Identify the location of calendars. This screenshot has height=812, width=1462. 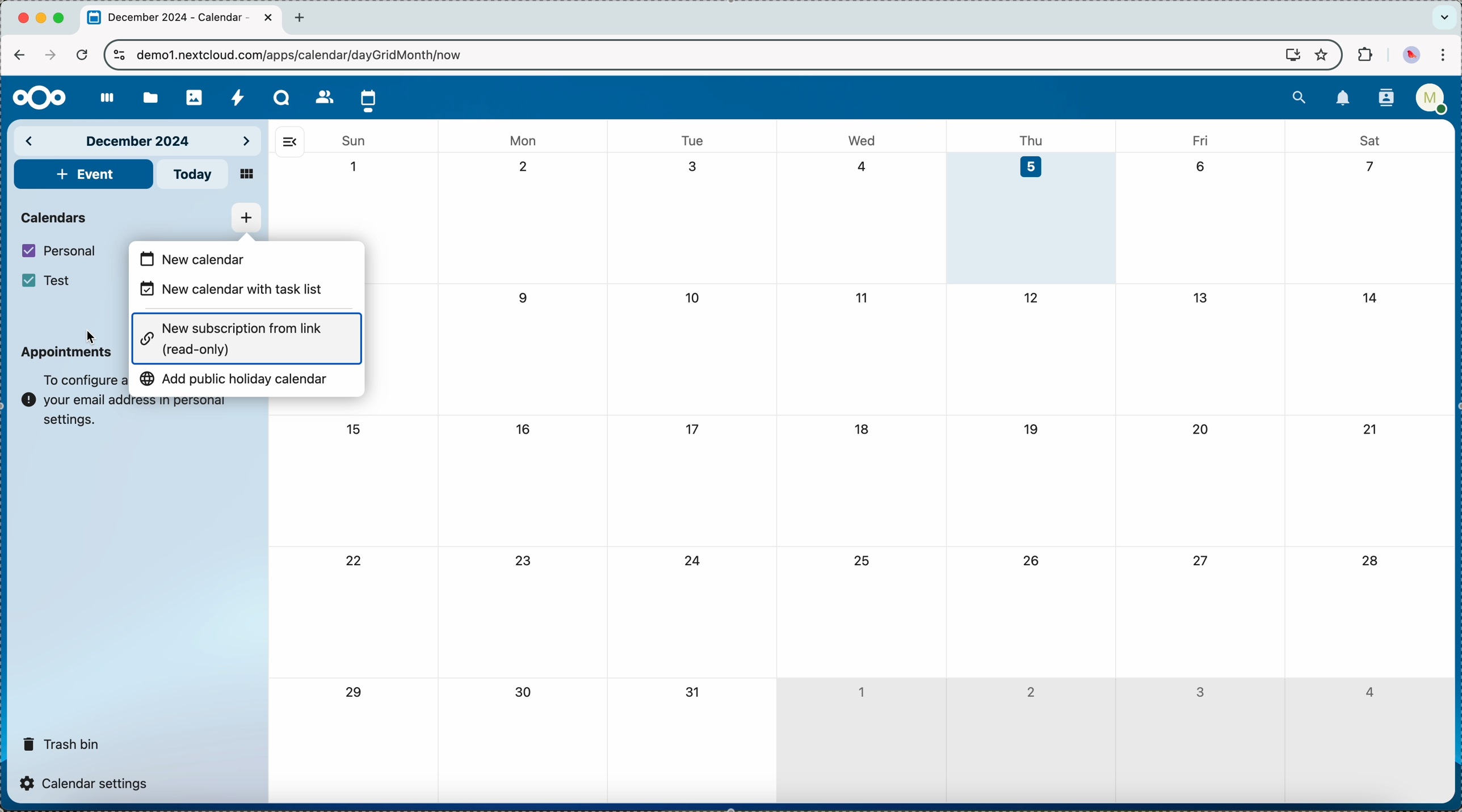
(56, 216).